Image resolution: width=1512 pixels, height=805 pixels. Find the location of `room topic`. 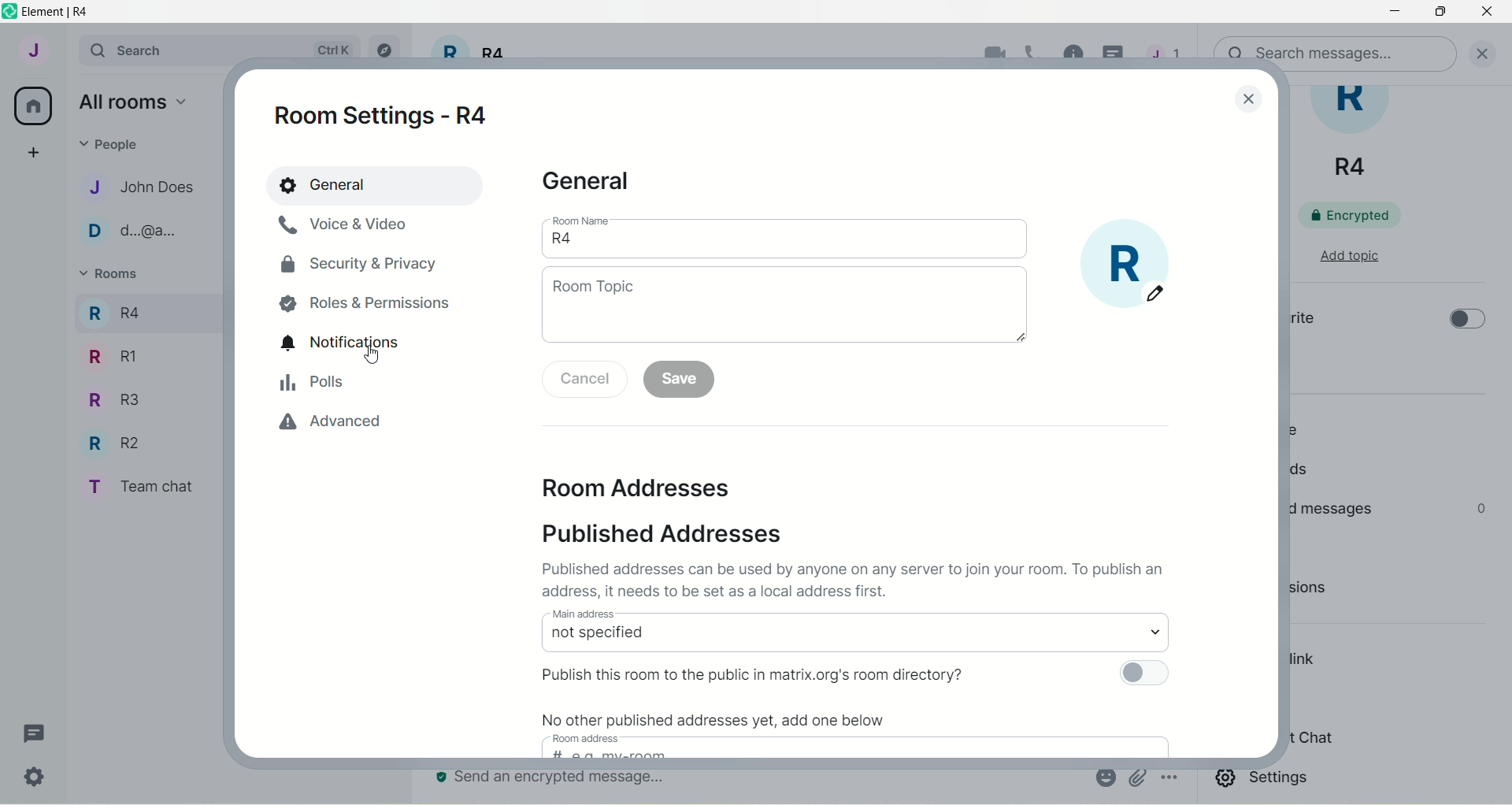

room topic is located at coordinates (786, 306).